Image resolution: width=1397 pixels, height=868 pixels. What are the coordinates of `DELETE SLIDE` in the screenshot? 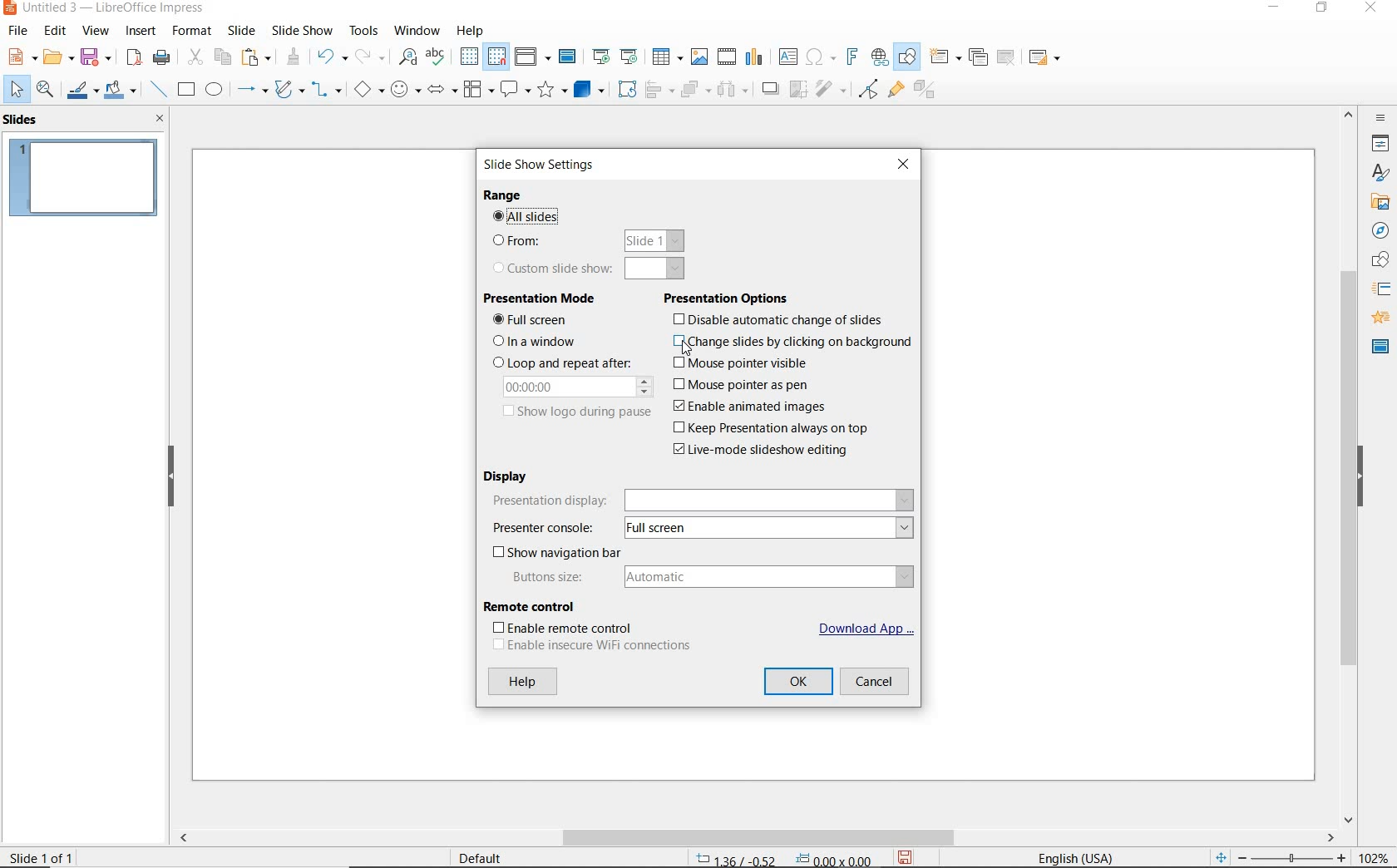 It's located at (1005, 57).